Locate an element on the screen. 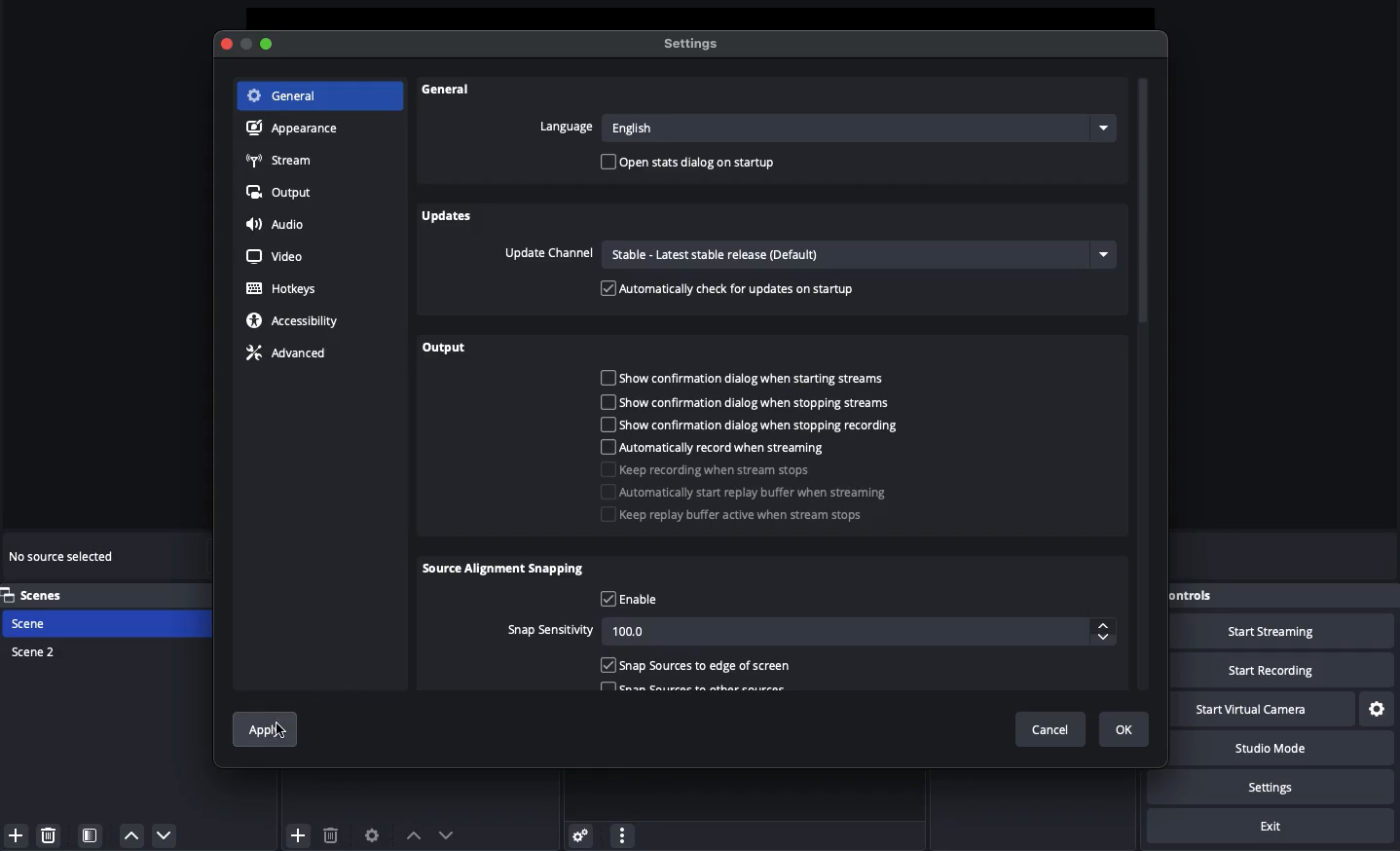 This screenshot has width=1400, height=851. Scroll is located at coordinates (1145, 386).